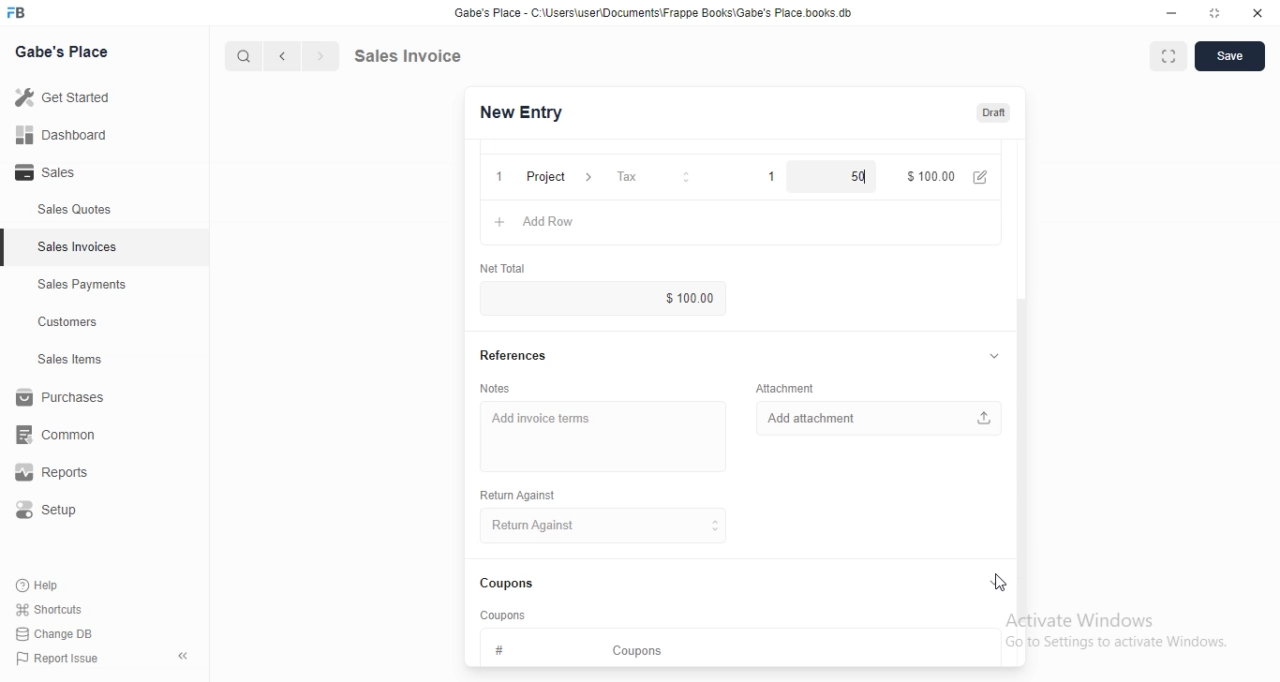 Image resolution: width=1280 pixels, height=682 pixels. What do you see at coordinates (995, 113) in the screenshot?
I see `Draft` at bounding box center [995, 113].